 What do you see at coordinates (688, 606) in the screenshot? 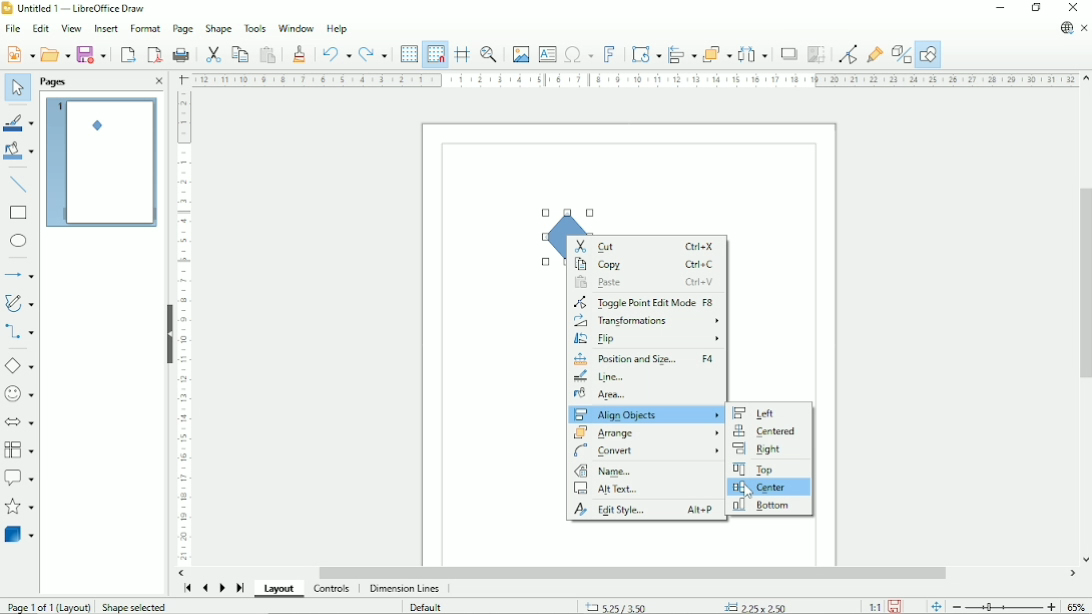
I see `Cursor position` at bounding box center [688, 606].